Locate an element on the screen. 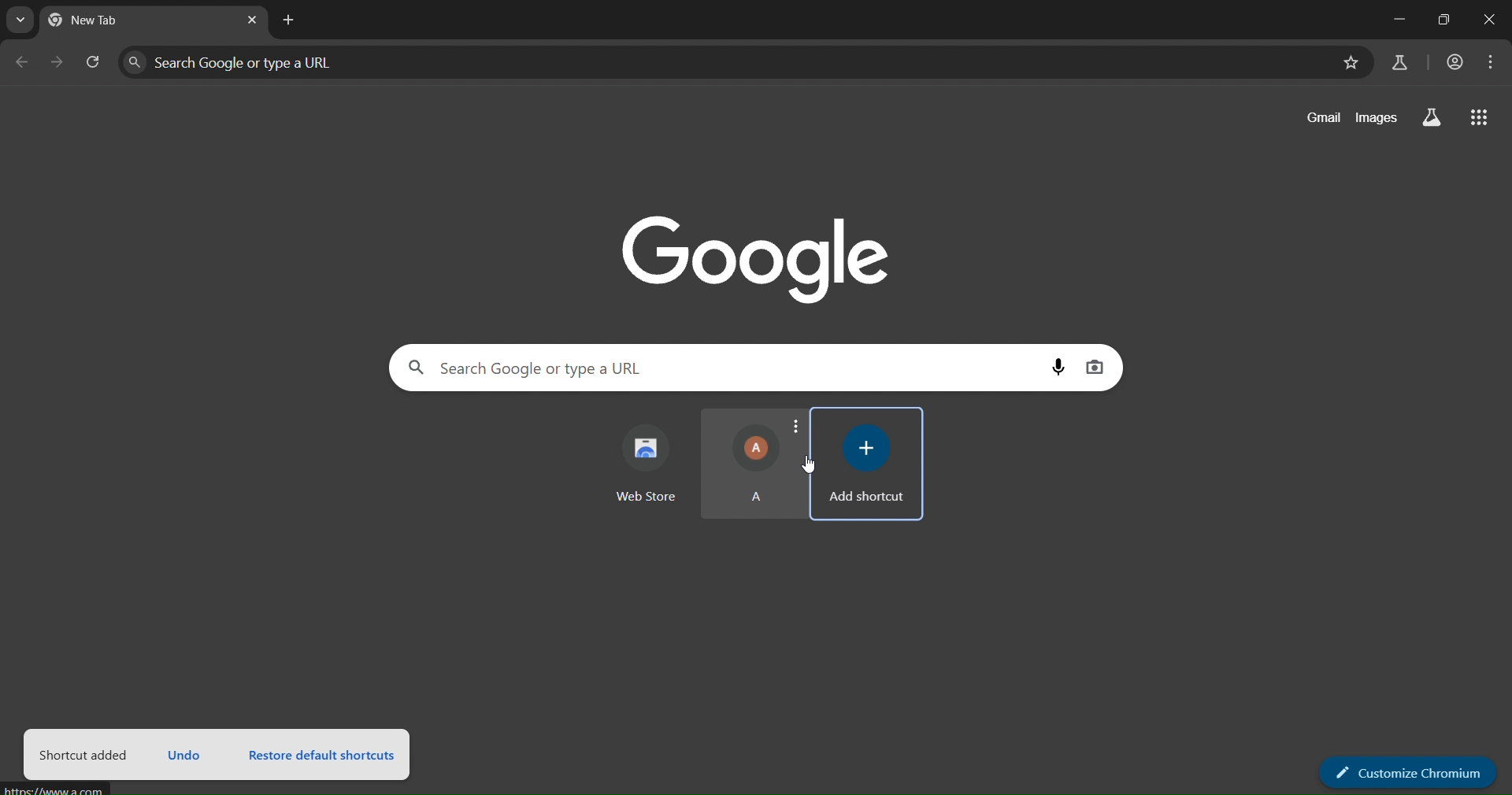 The width and height of the screenshot is (1512, 795). menu is located at coordinates (1492, 62).